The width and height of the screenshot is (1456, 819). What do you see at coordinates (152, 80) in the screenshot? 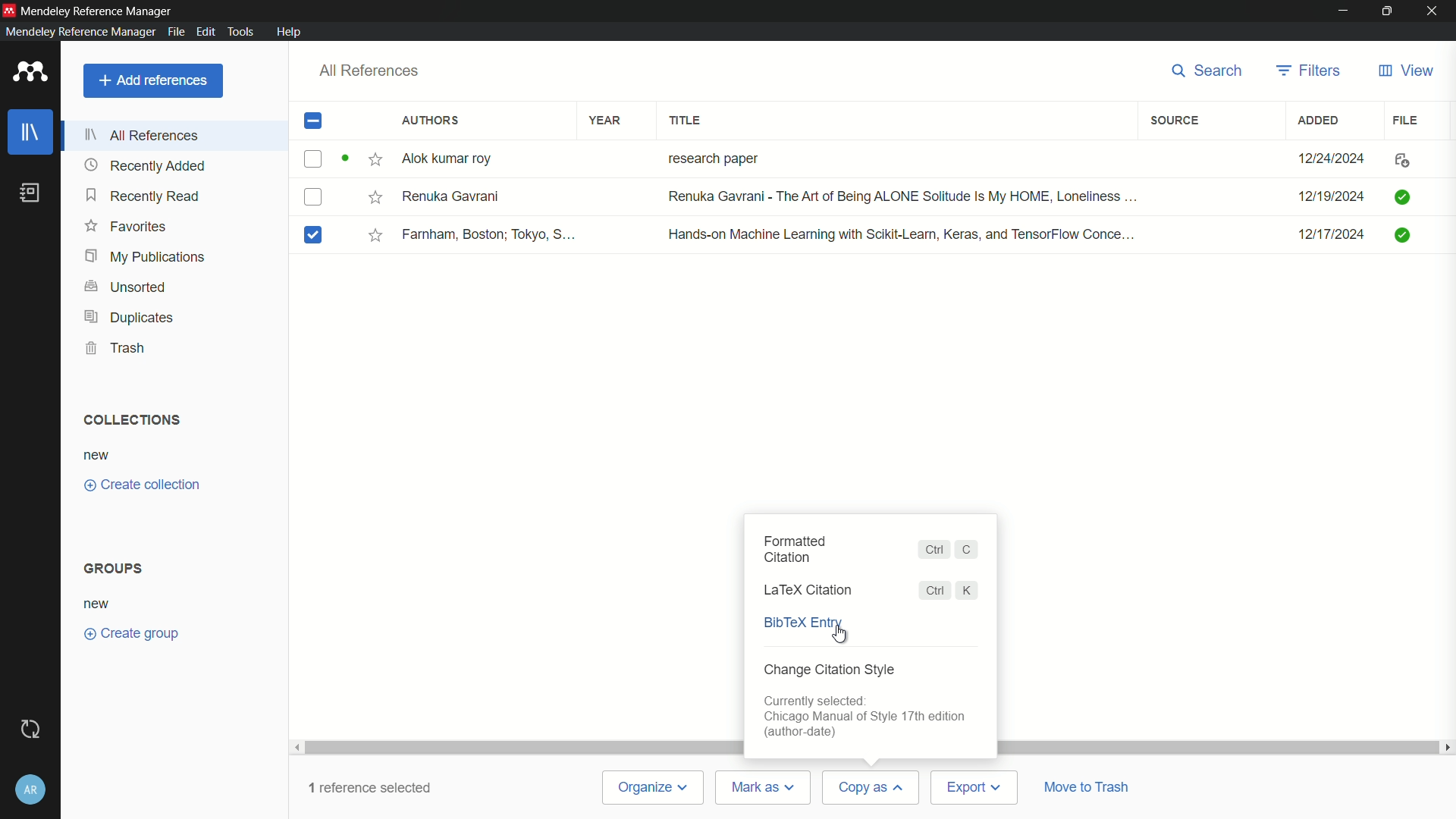
I see `add references` at bounding box center [152, 80].